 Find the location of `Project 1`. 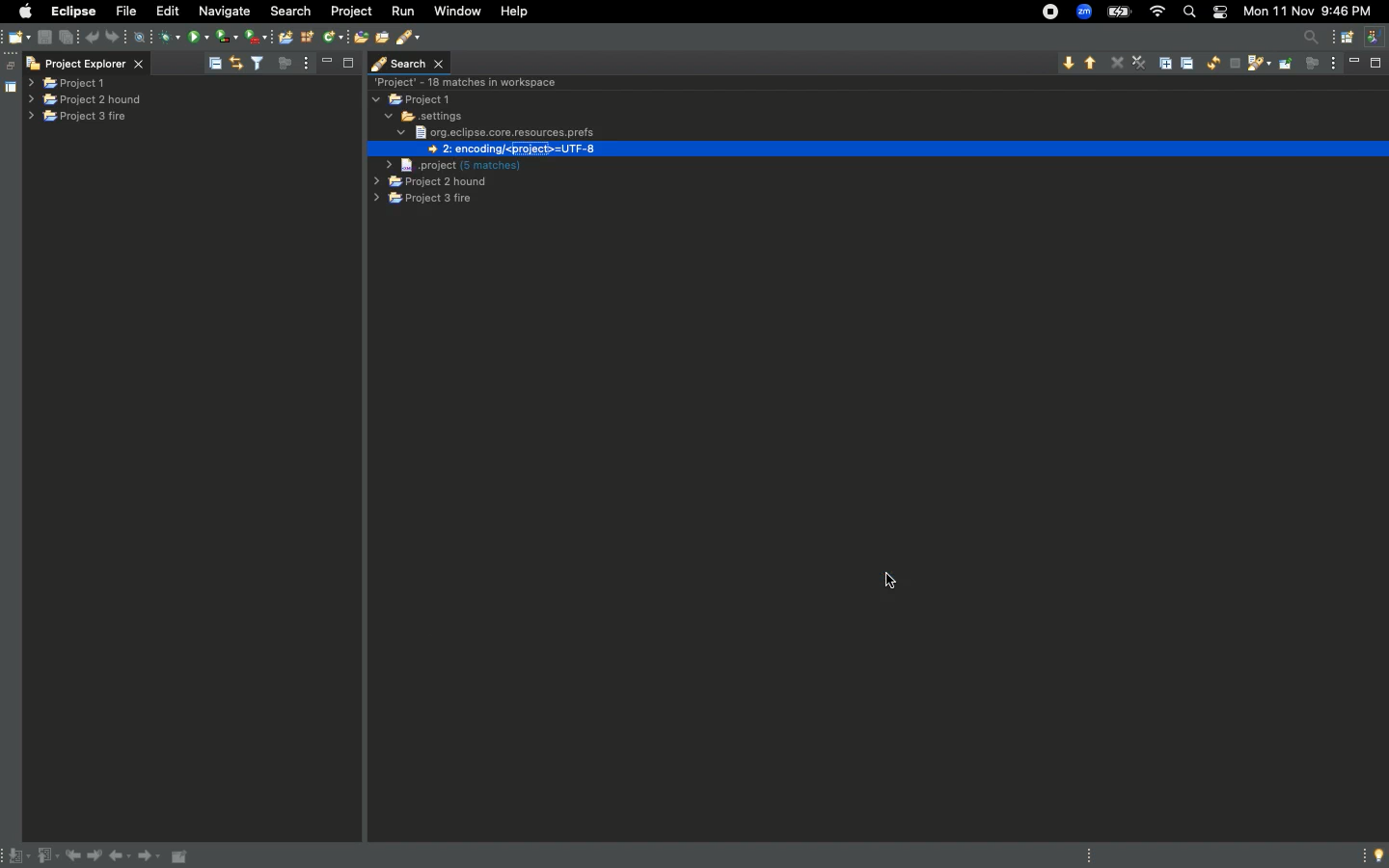

Project 1 is located at coordinates (415, 101).